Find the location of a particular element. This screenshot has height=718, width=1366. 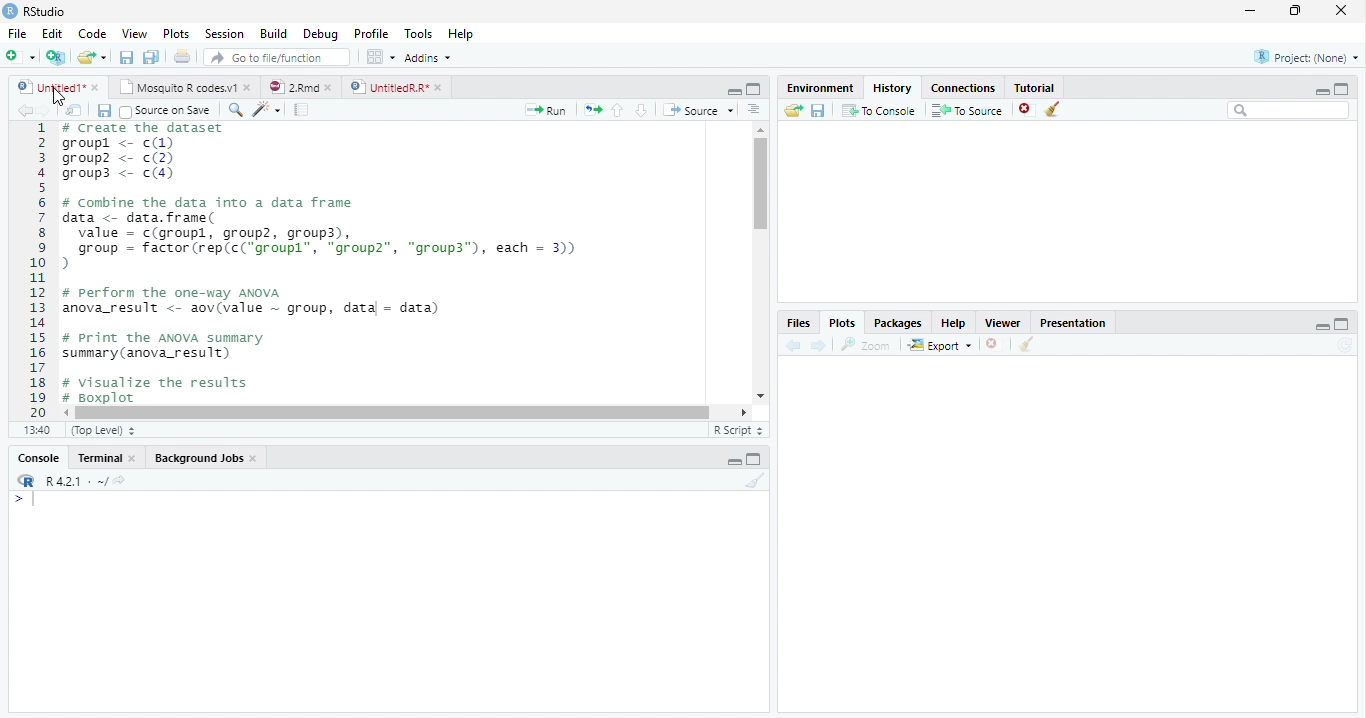

background jobs is located at coordinates (207, 460).